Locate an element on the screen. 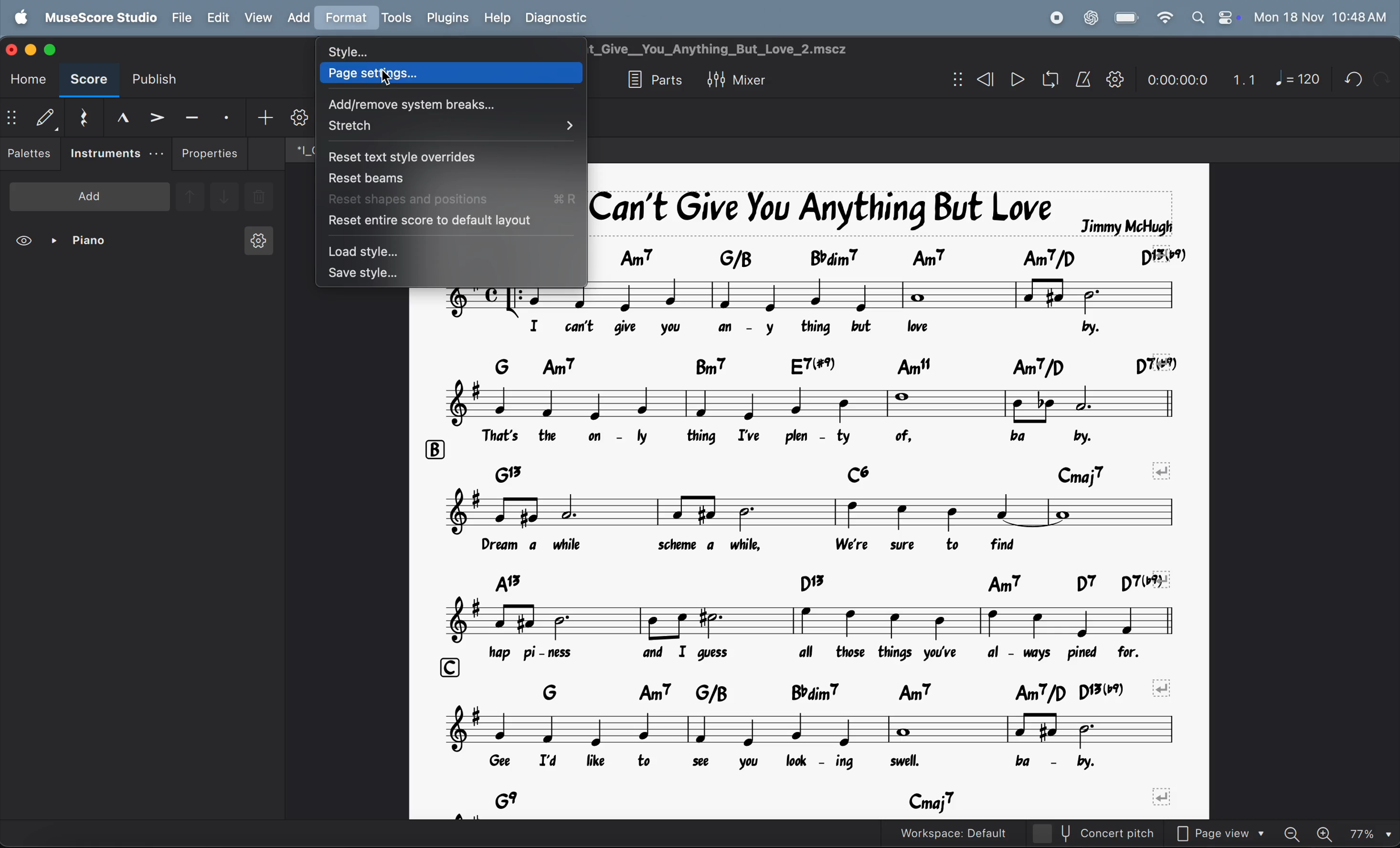 This screenshot has height=848, width=1400. palettes is located at coordinates (31, 156).